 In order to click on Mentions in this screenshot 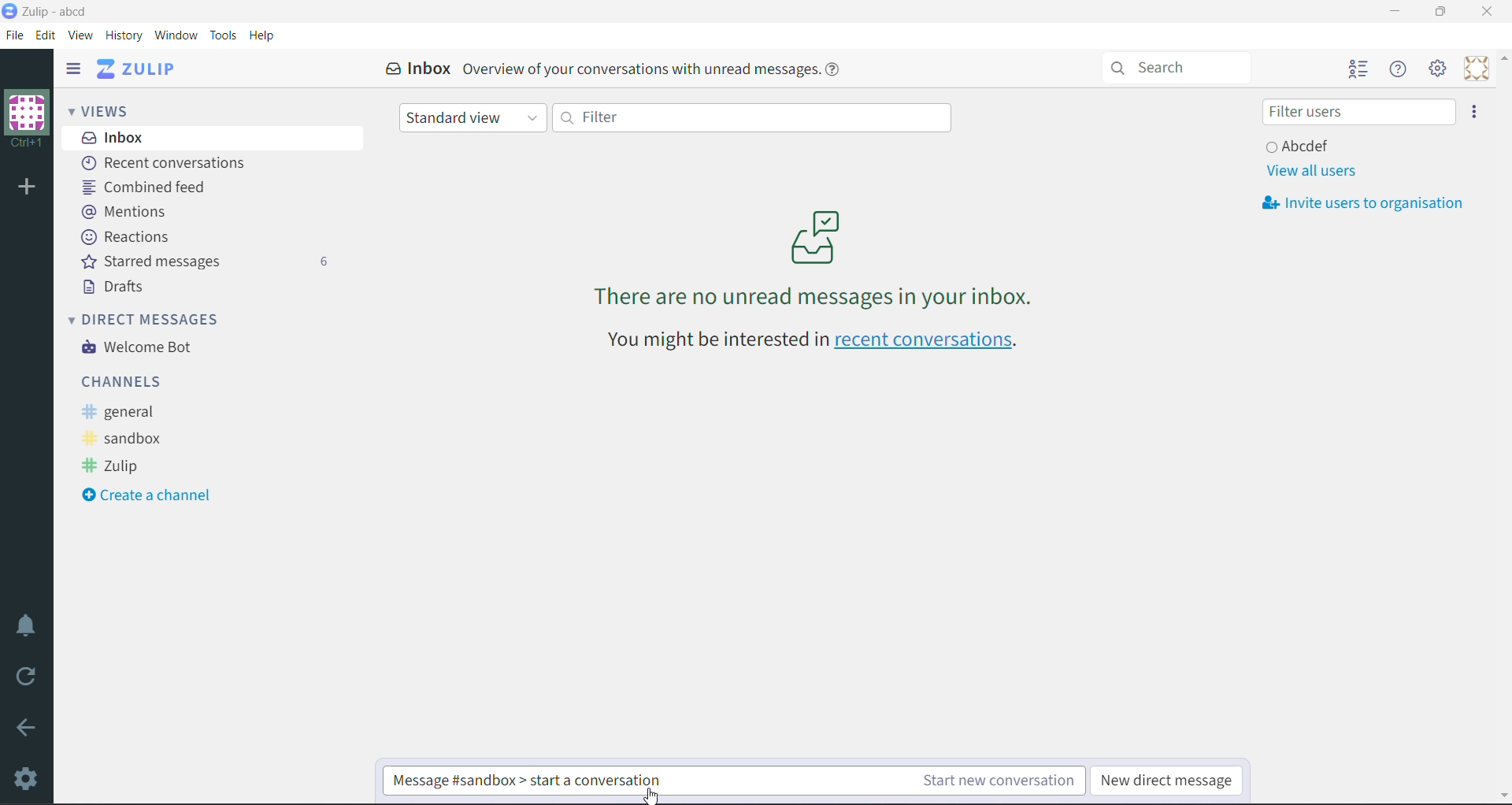, I will do `click(124, 210)`.